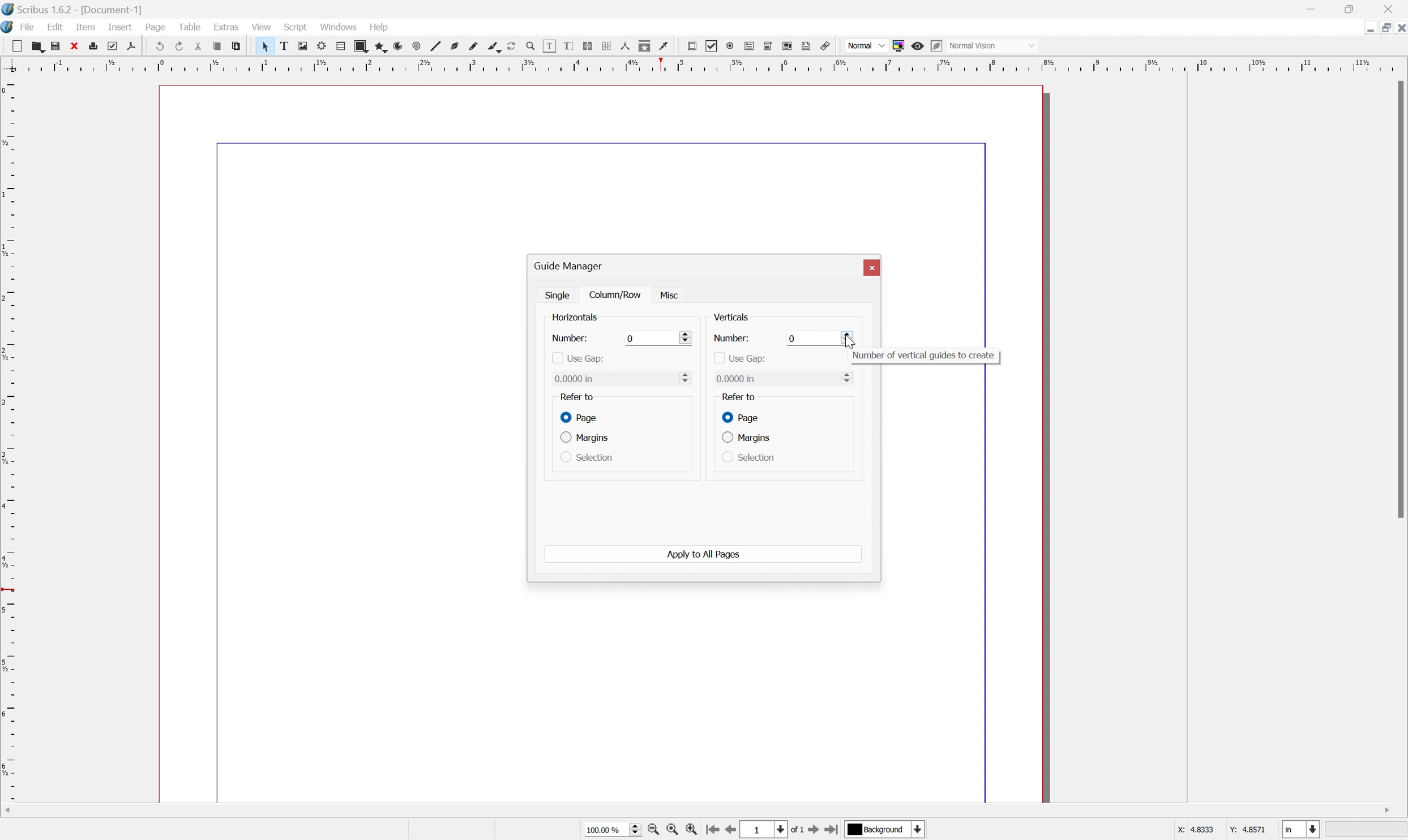  What do you see at coordinates (832, 832) in the screenshot?
I see `go to last` at bounding box center [832, 832].